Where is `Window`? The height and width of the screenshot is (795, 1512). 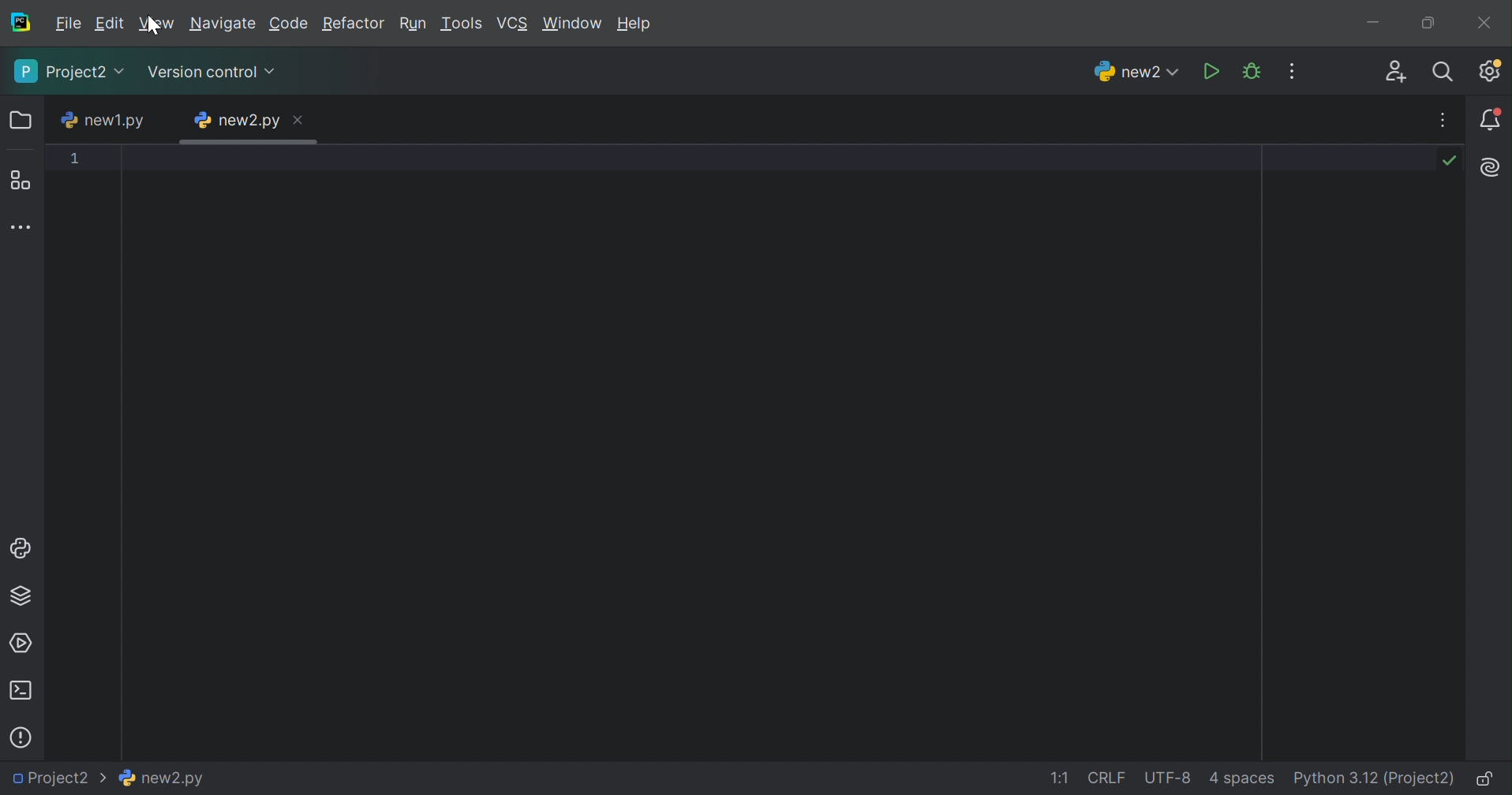
Window is located at coordinates (573, 24).